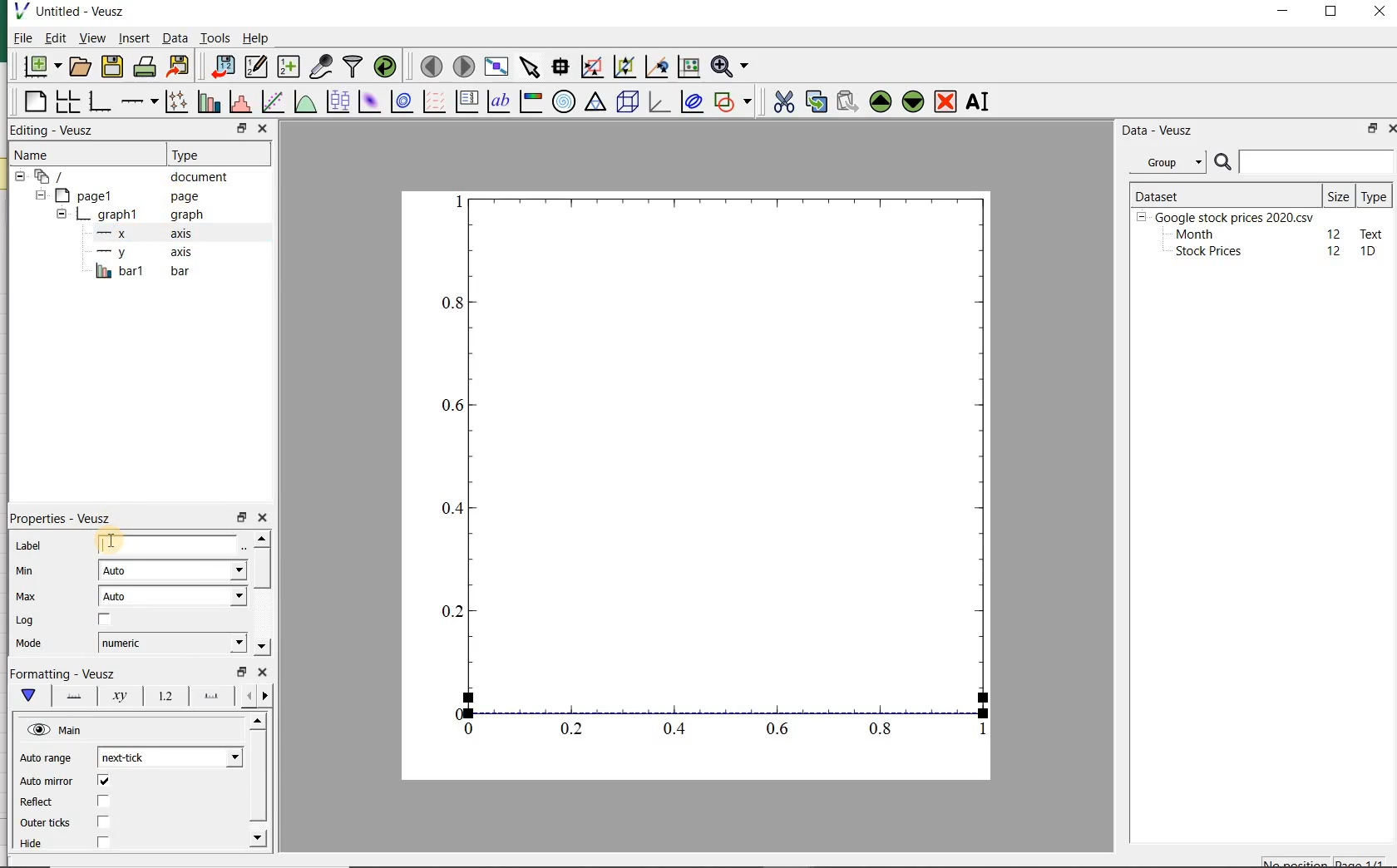 The image size is (1397, 868). Describe the element at coordinates (255, 67) in the screenshot. I see `edit and enter new datasets` at that location.